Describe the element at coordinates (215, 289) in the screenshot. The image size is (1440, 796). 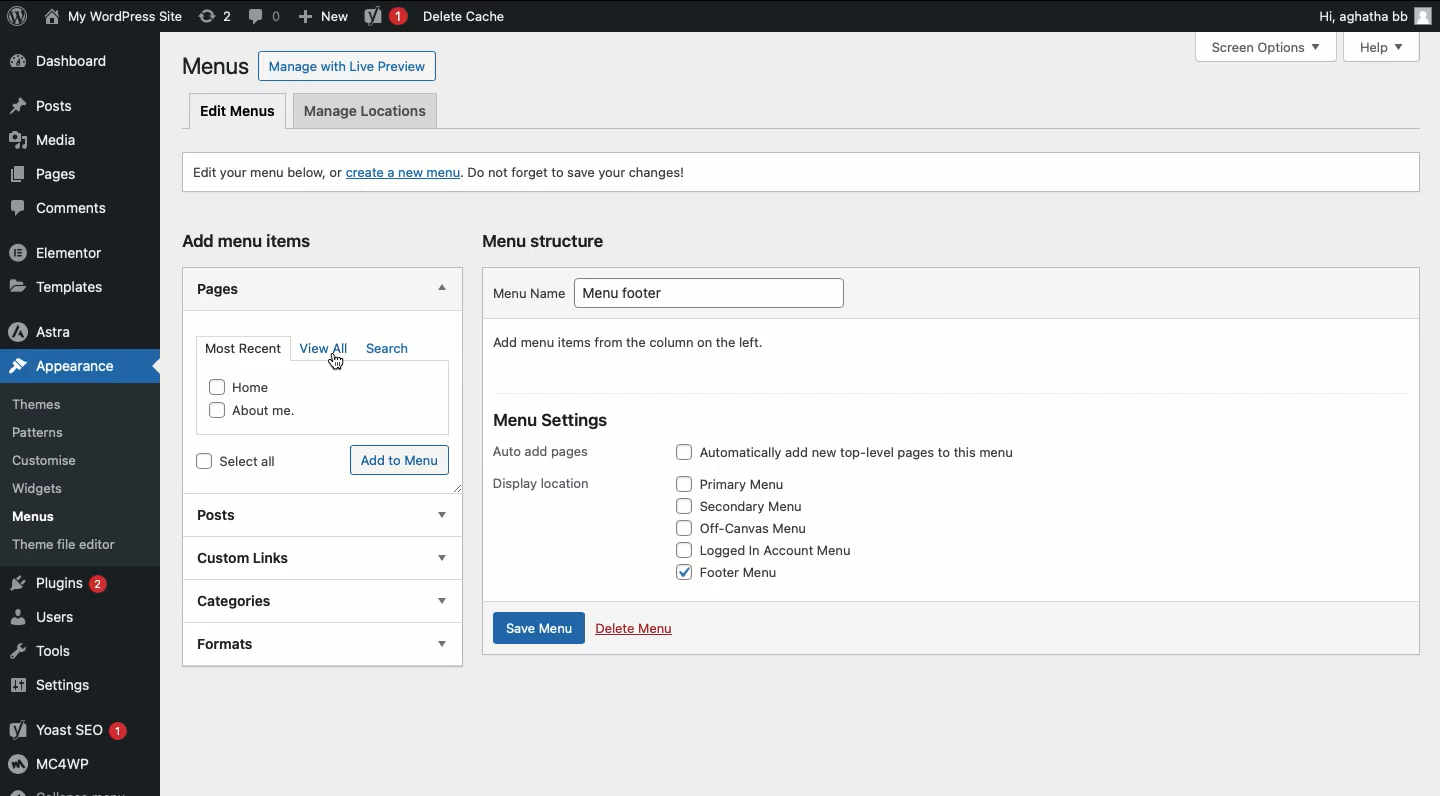
I see `Pages` at that location.